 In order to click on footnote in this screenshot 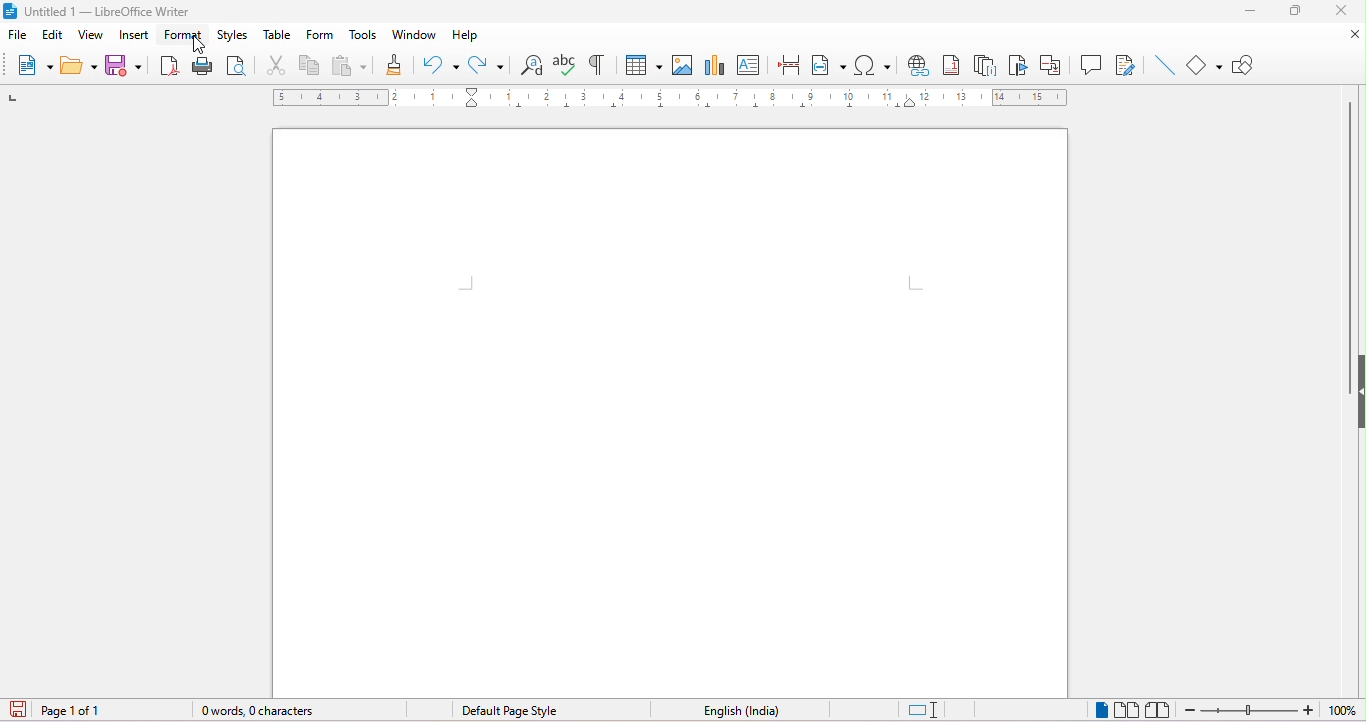, I will do `click(951, 67)`.